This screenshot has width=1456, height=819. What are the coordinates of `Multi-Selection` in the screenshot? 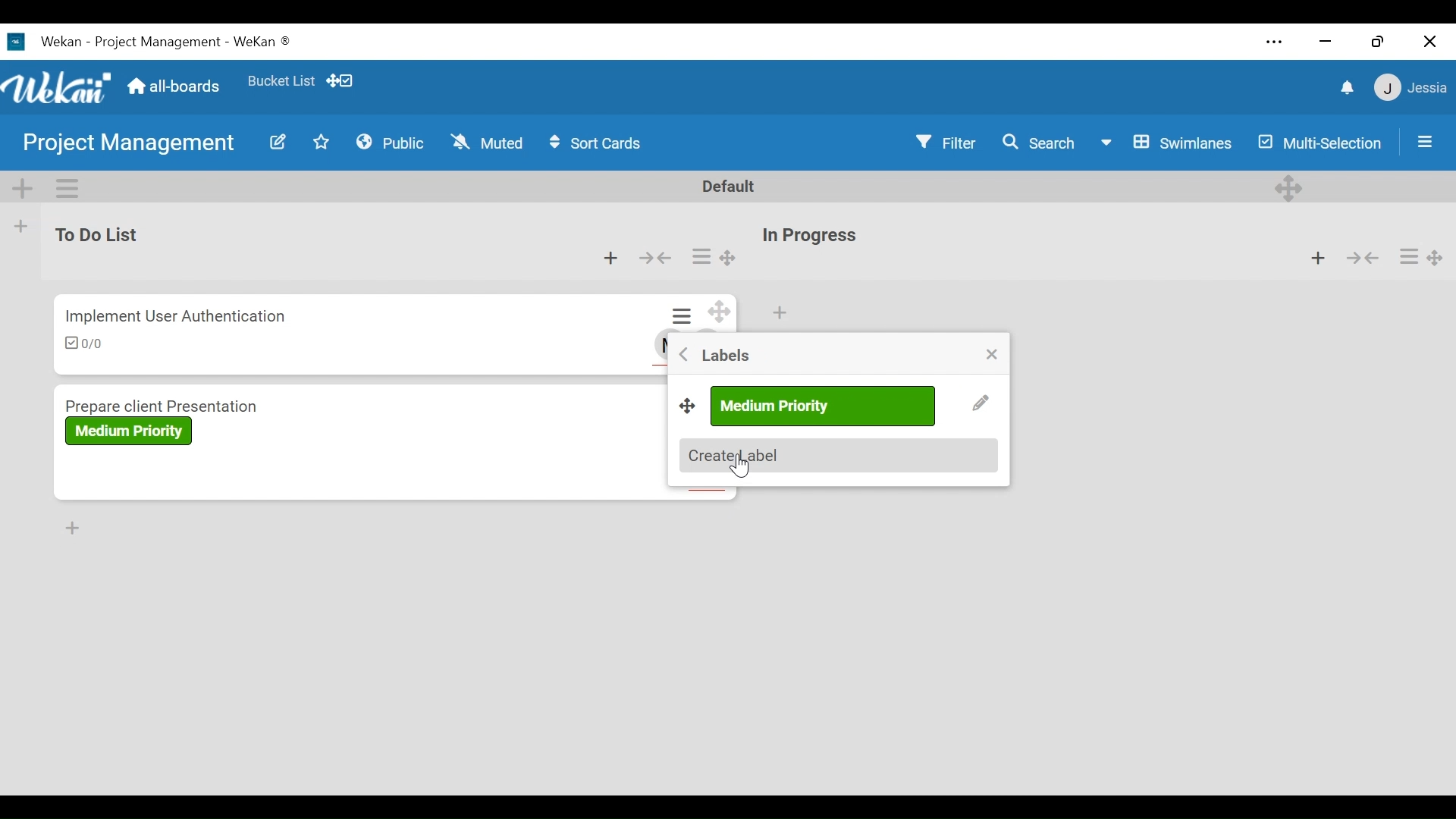 It's located at (1321, 143).